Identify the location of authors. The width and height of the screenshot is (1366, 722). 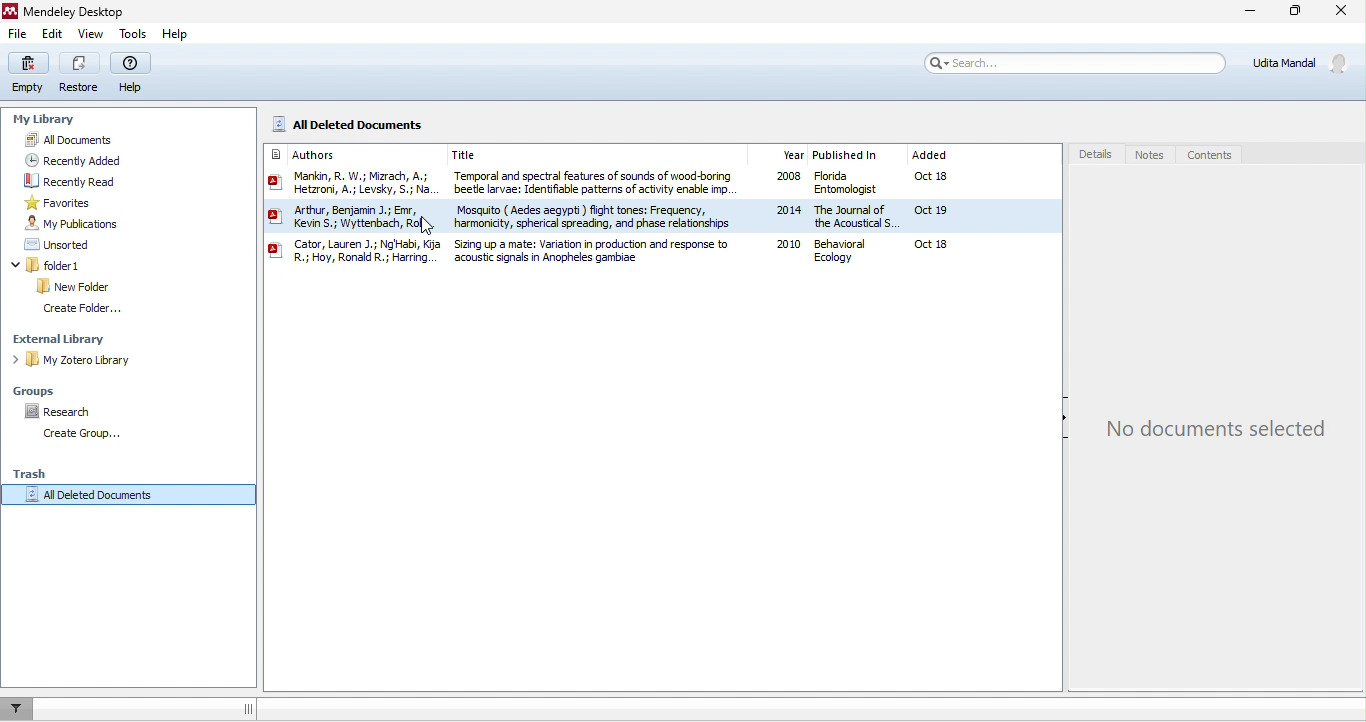
(316, 152).